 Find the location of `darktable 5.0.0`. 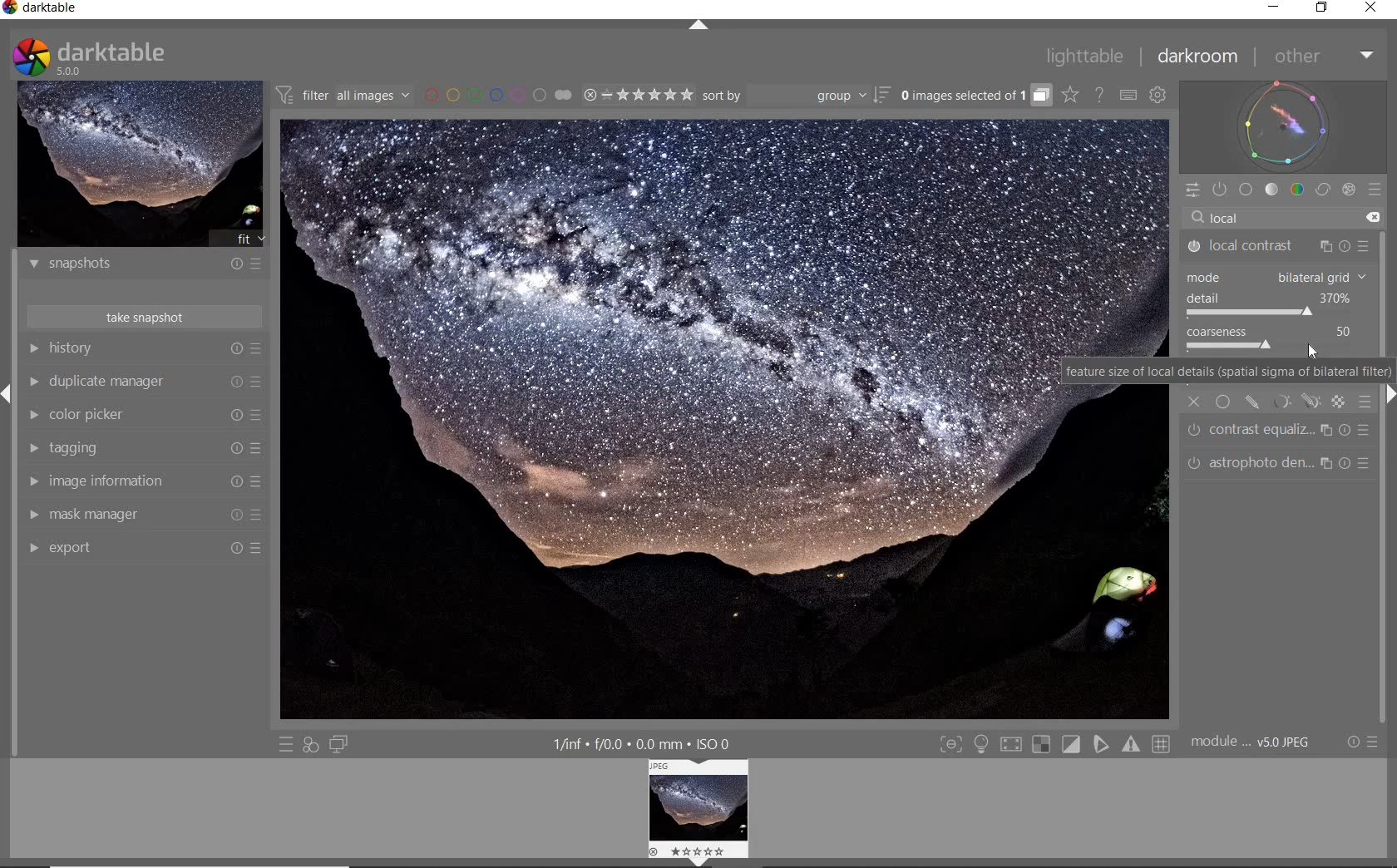

darktable 5.0.0 is located at coordinates (111, 55).